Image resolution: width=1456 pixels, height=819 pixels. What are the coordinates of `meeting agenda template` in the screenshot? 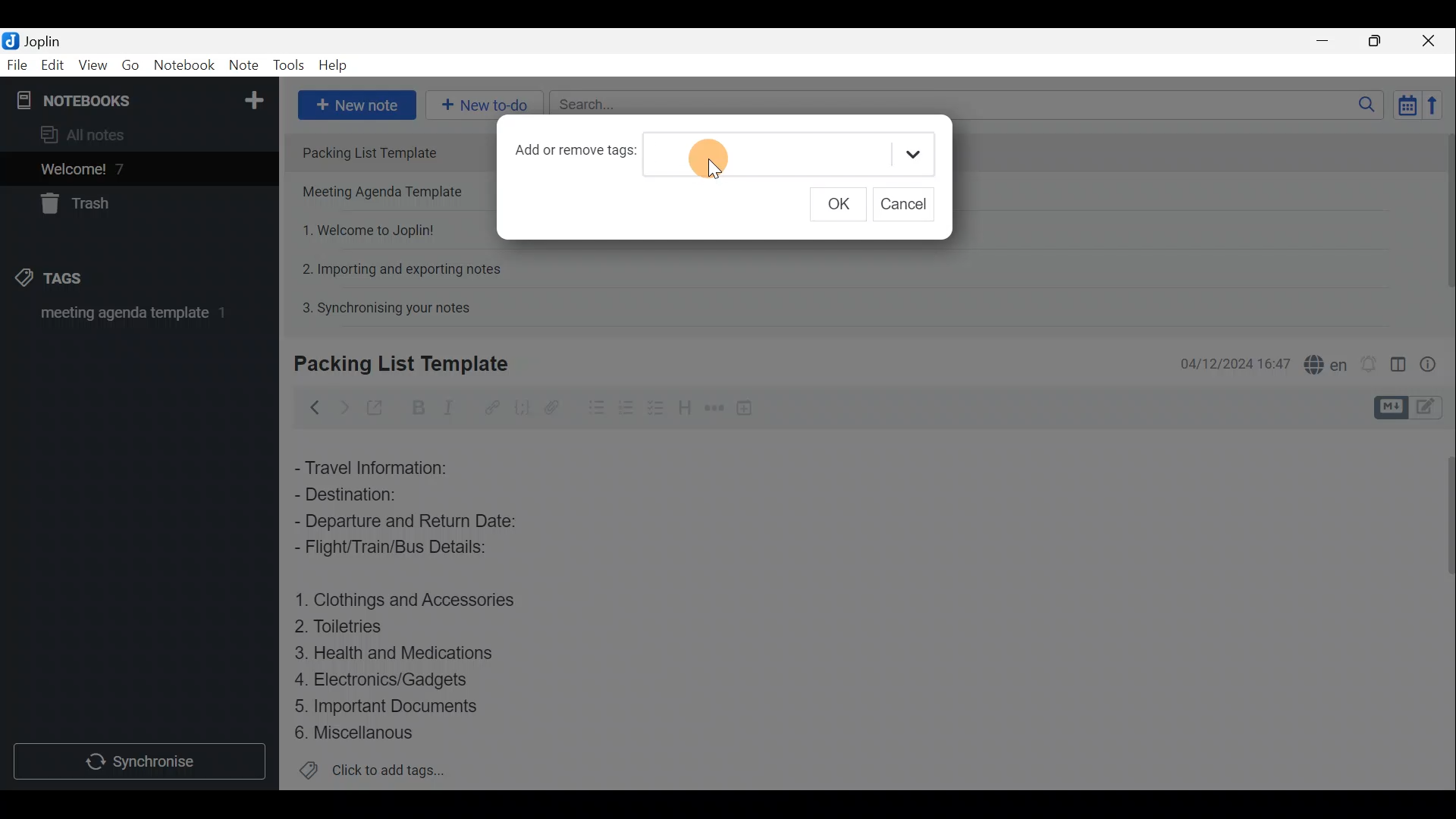 It's located at (130, 318).